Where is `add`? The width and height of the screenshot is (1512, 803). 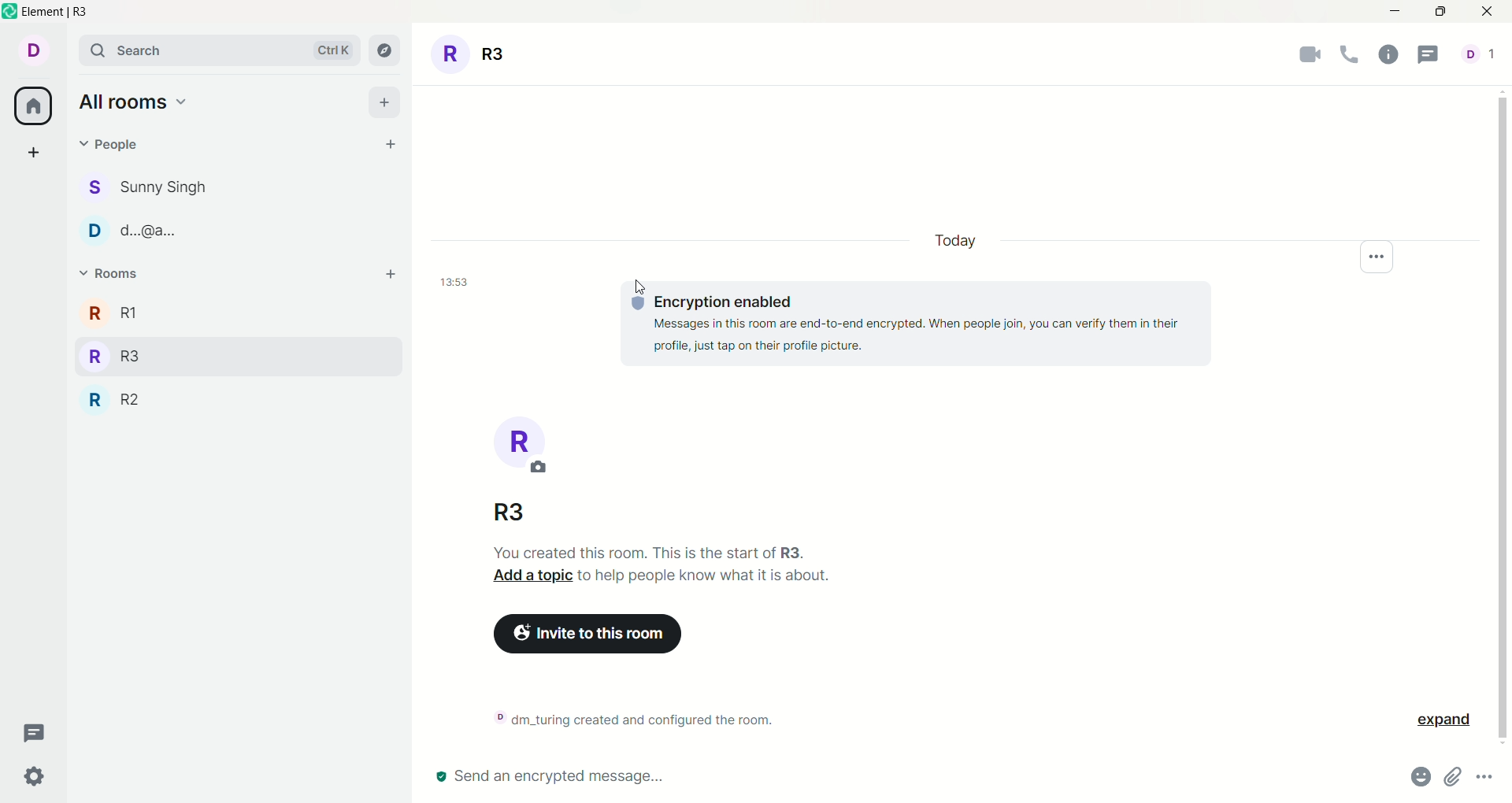
add is located at coordinates (37, 154).